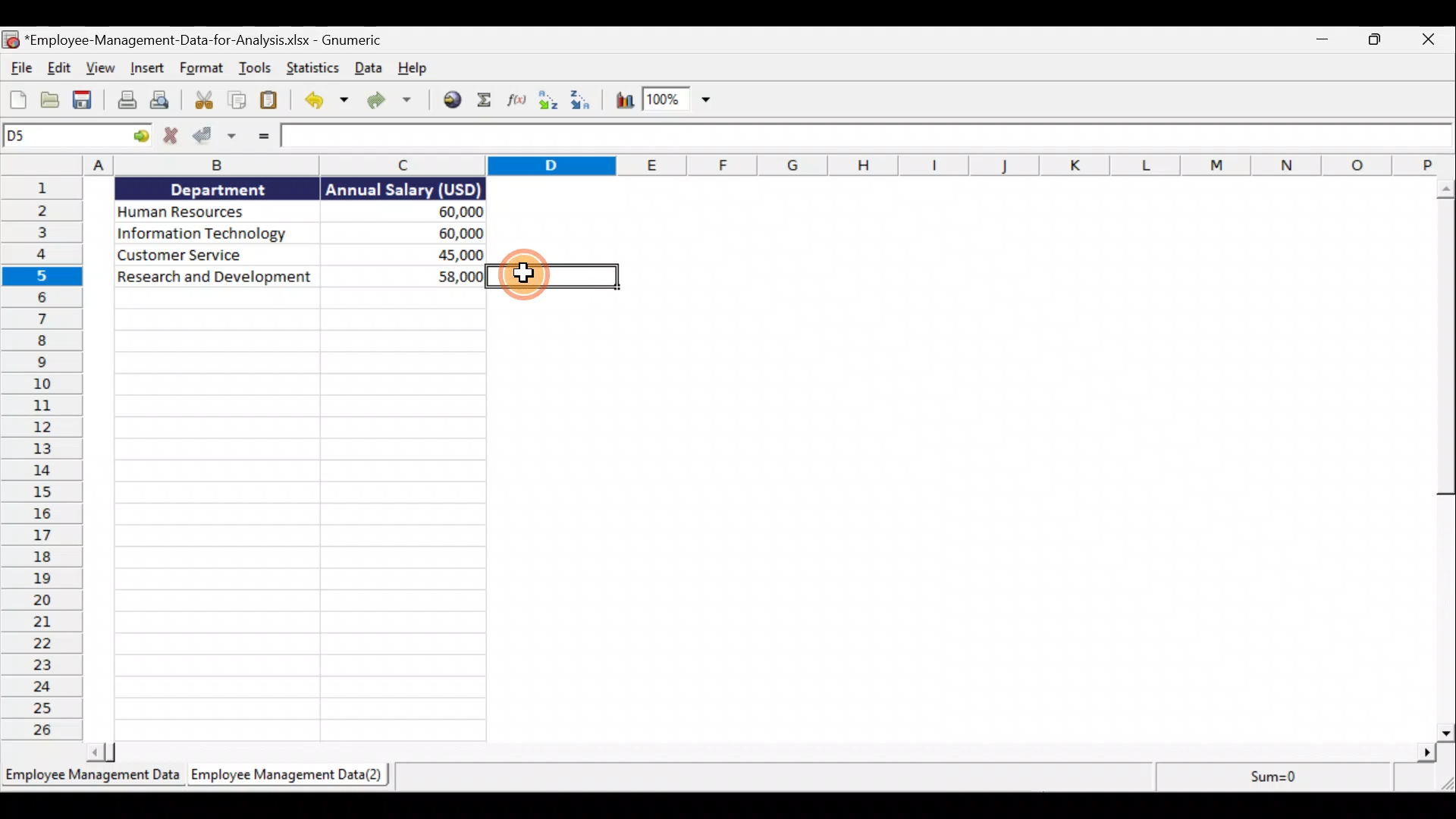 Image resolution: width=1456 pixels, height=819 pixels. What do you see at coordinates (294, 778) in the screenshot?
I see `Sheet 2` at bounding box center [294, 778].